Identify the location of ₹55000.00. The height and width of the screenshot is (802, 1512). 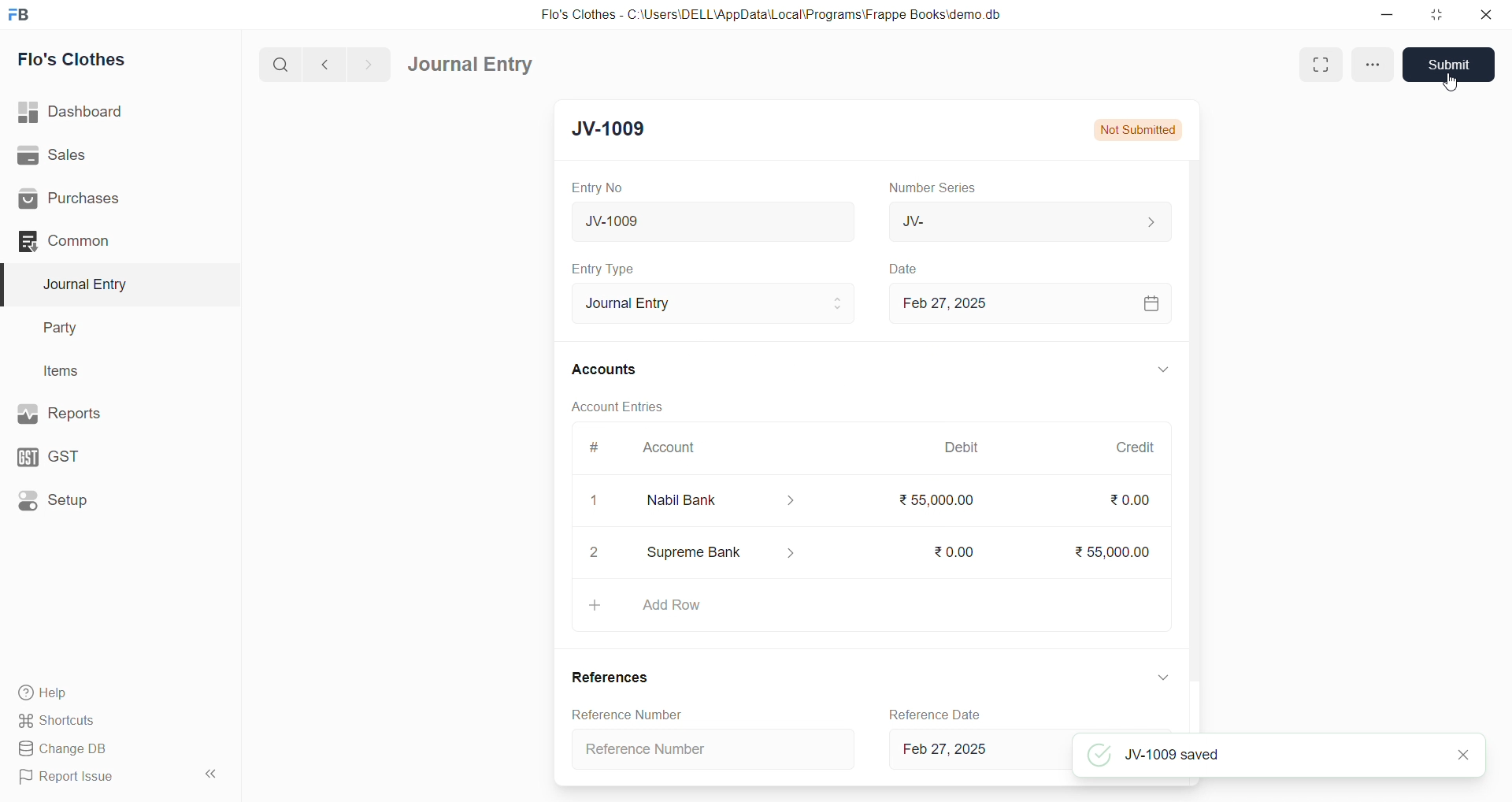
(940, 503).